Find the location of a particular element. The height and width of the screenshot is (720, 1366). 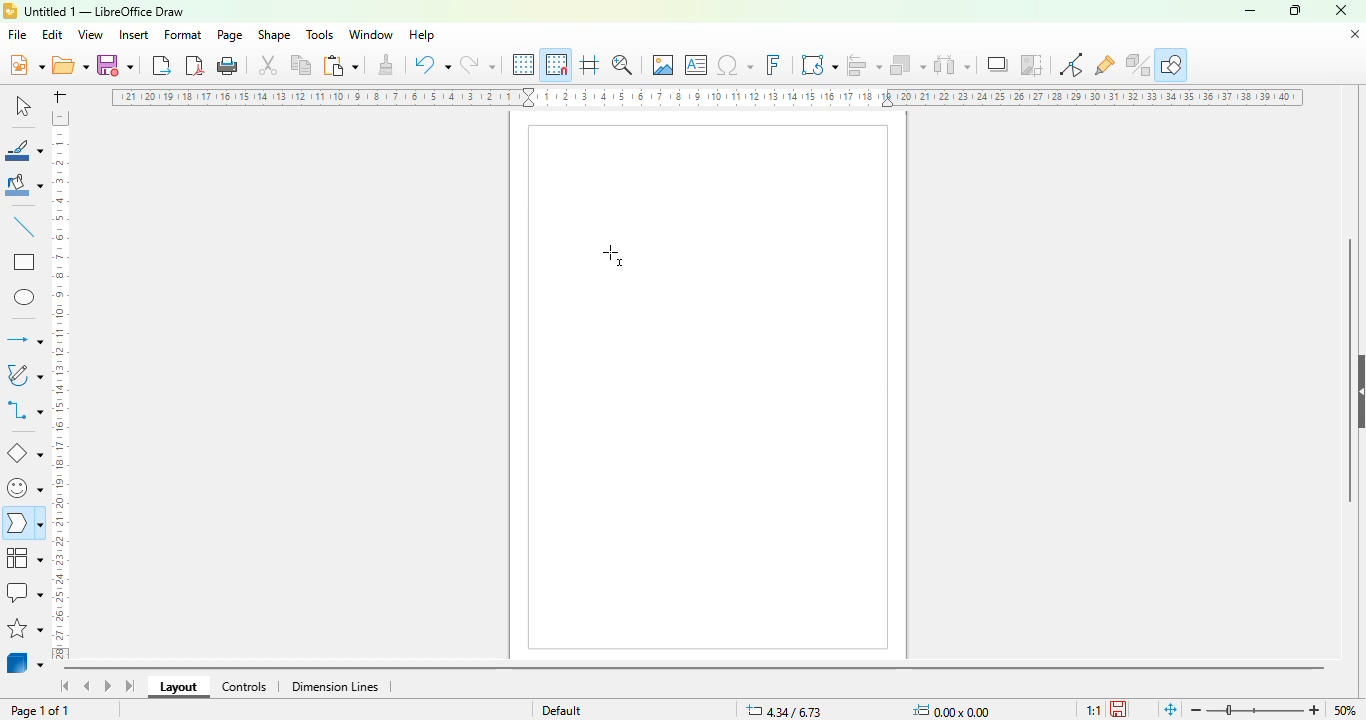

help is located at coordinates (423, 35).